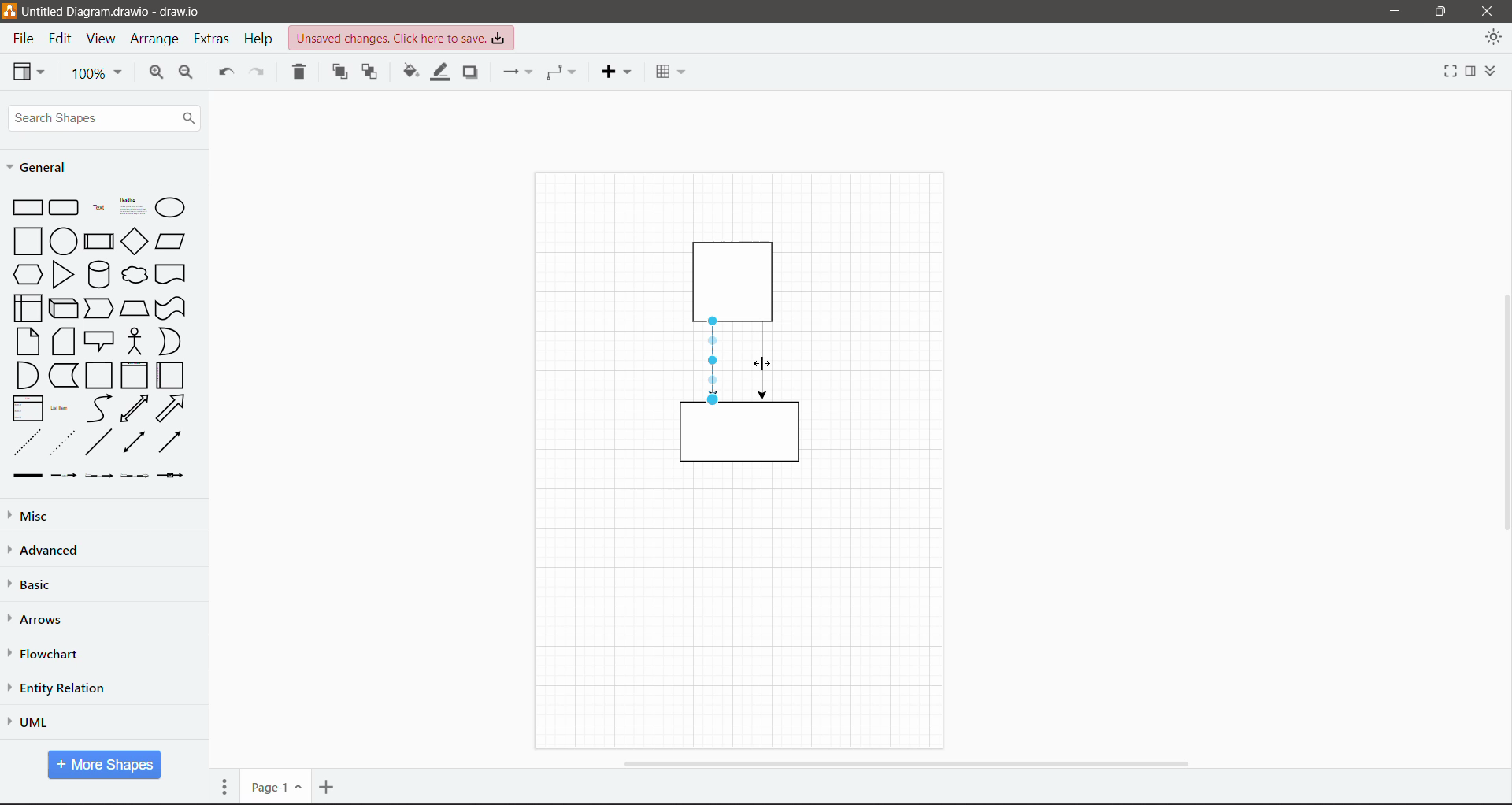 The height and width of the screenshot is (805, 1512). I want to click on Diamond, so click(134, 241).